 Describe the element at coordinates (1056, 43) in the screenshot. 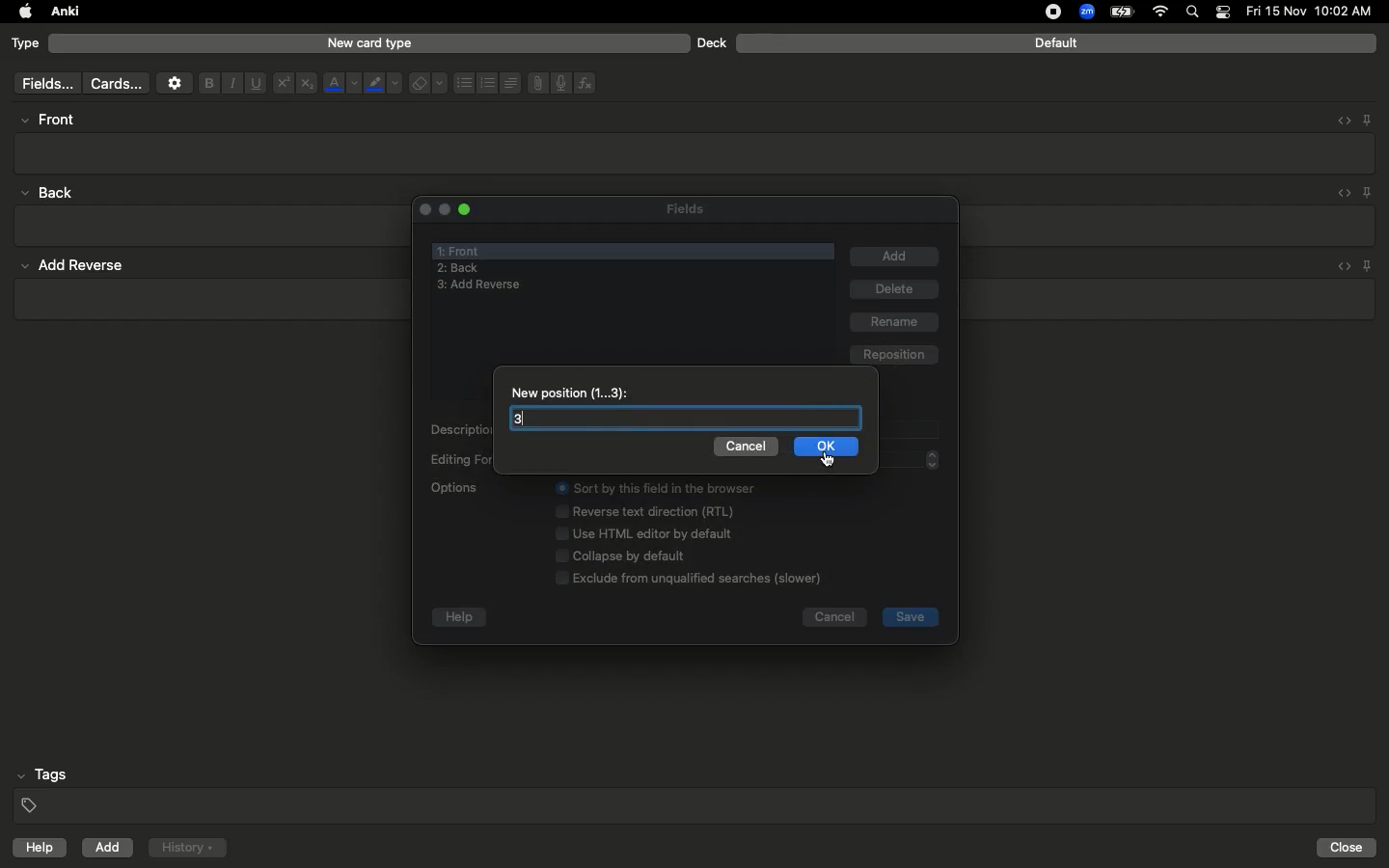

I see `Default` at that location.